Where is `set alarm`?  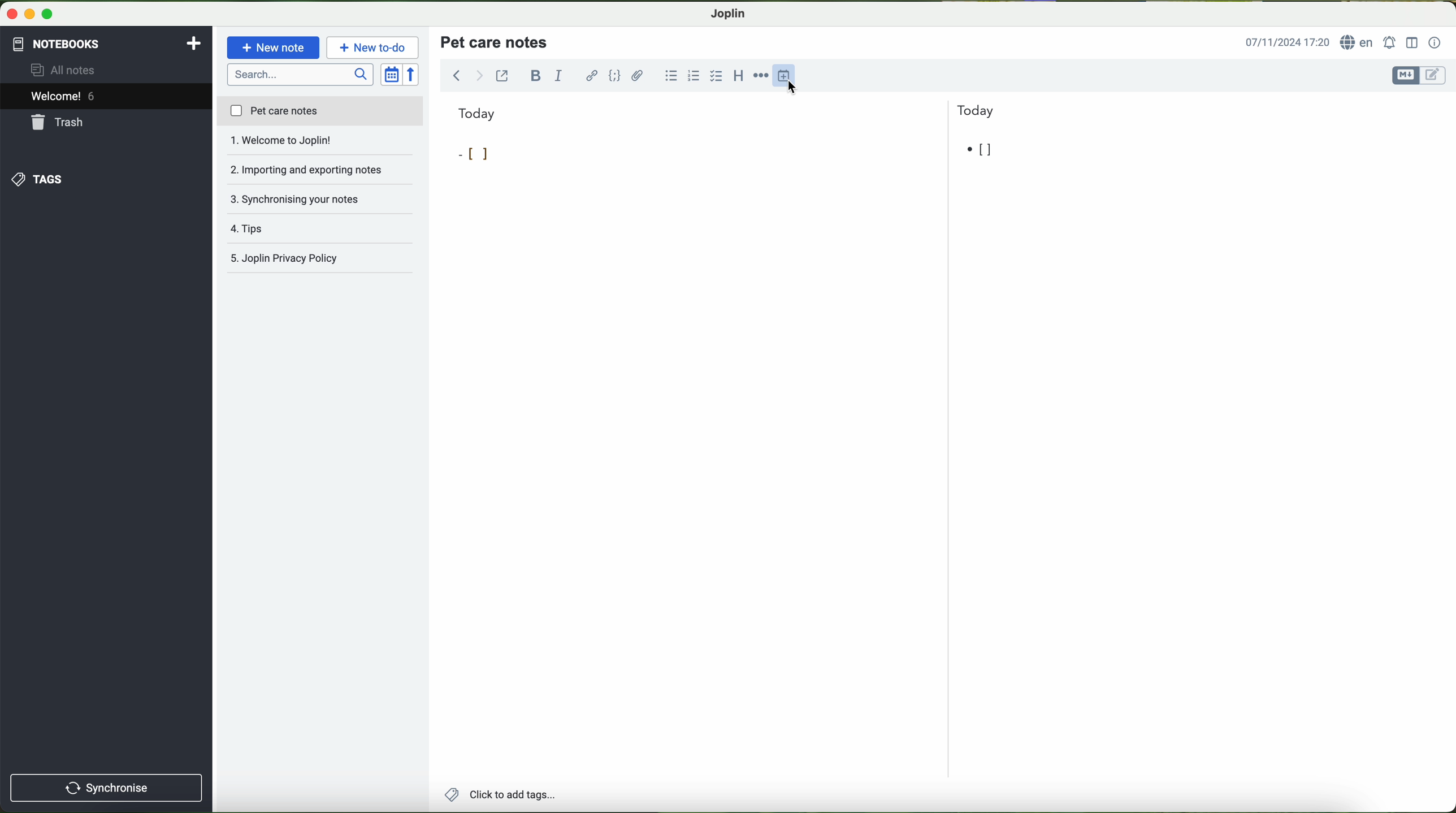 set alarm is located at coordinates (1391, 42).